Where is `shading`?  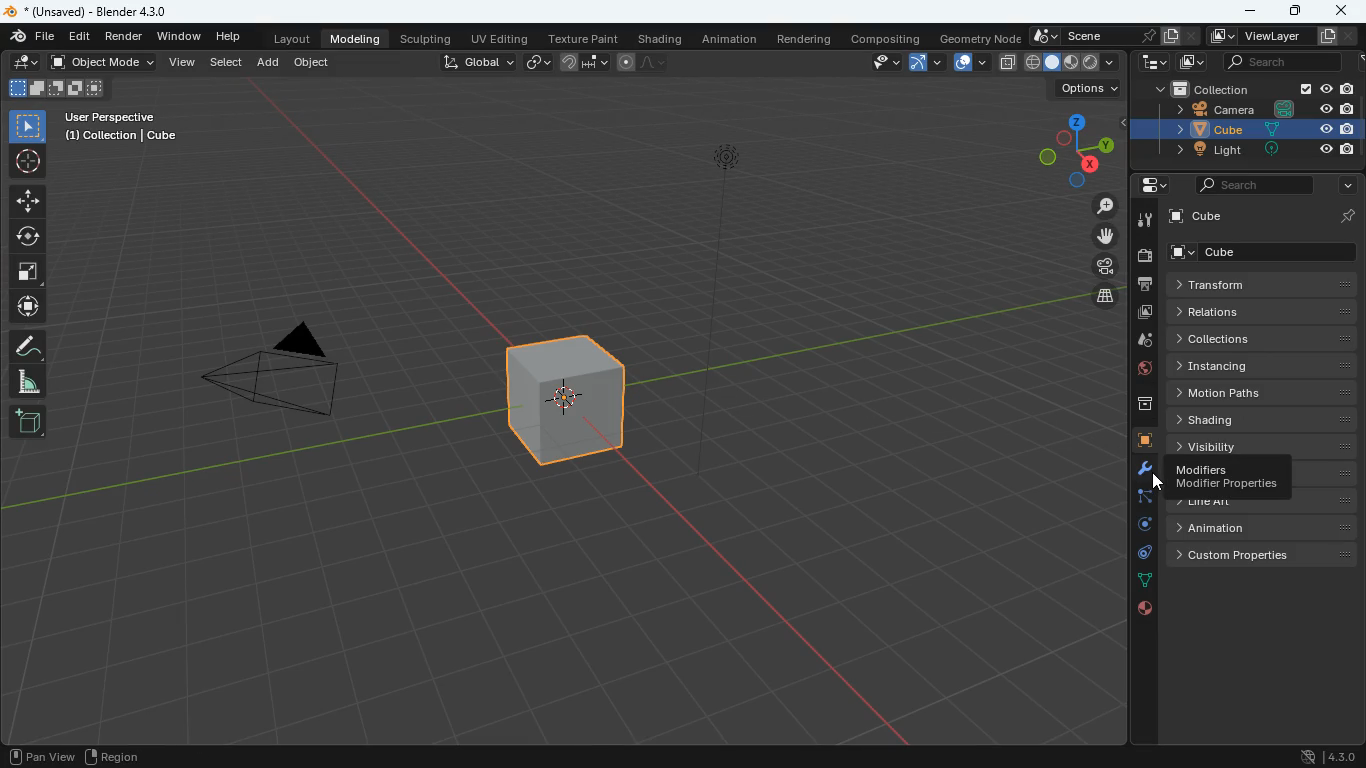 shading is located at coordinates (663, 37).